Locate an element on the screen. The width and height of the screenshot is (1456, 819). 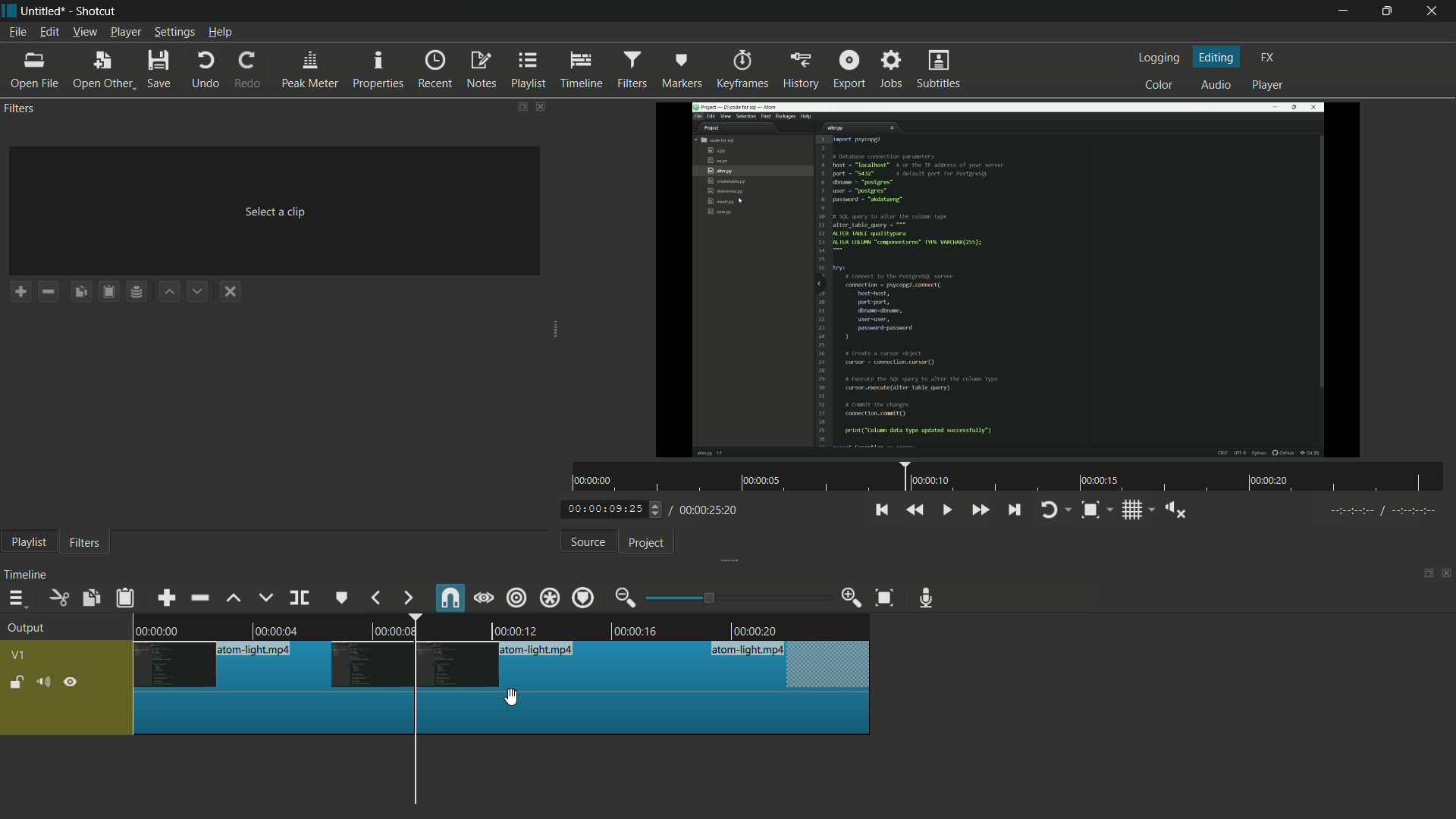
filters is located at coordinates (22, 109).